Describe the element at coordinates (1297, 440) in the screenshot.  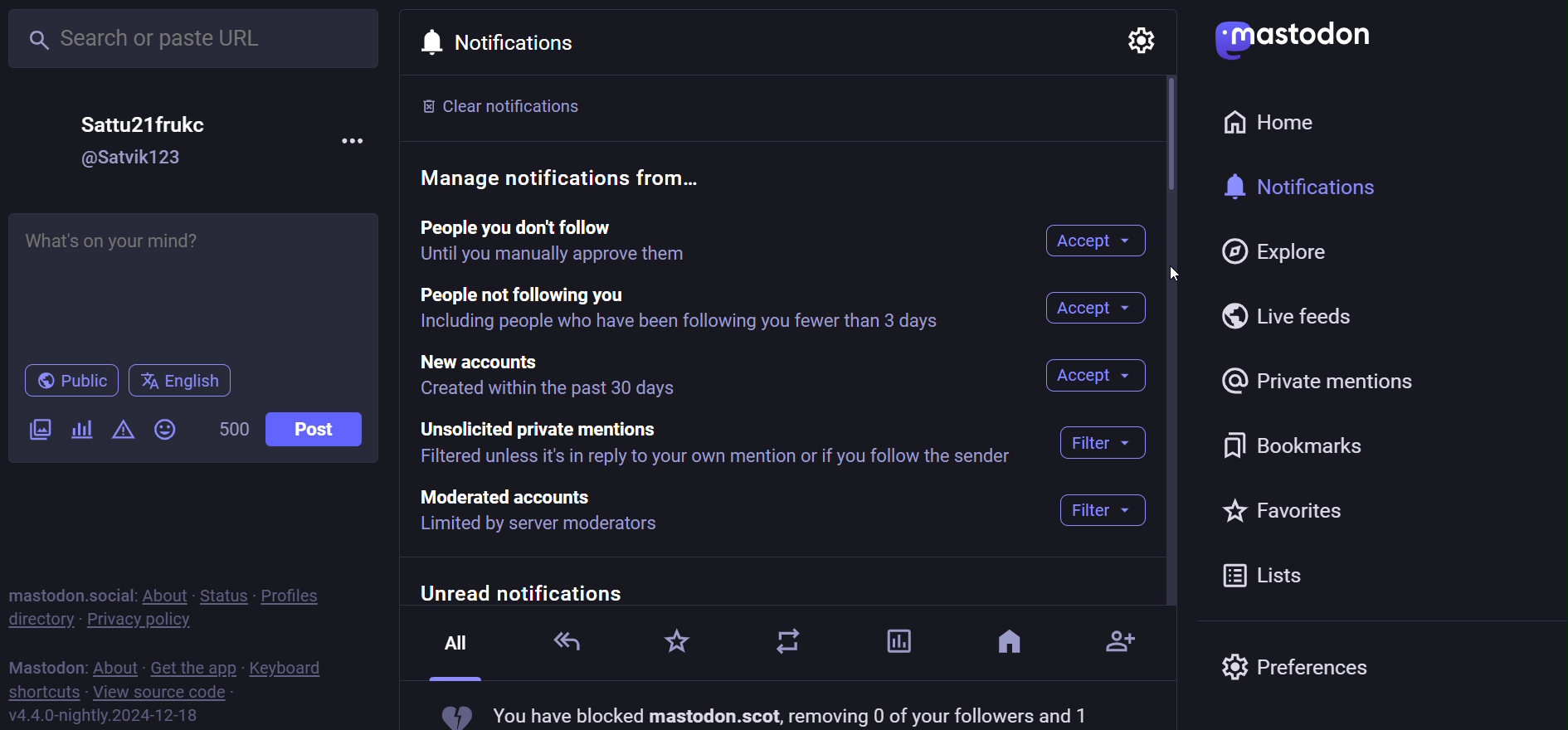
I see `bookmark` at that location.